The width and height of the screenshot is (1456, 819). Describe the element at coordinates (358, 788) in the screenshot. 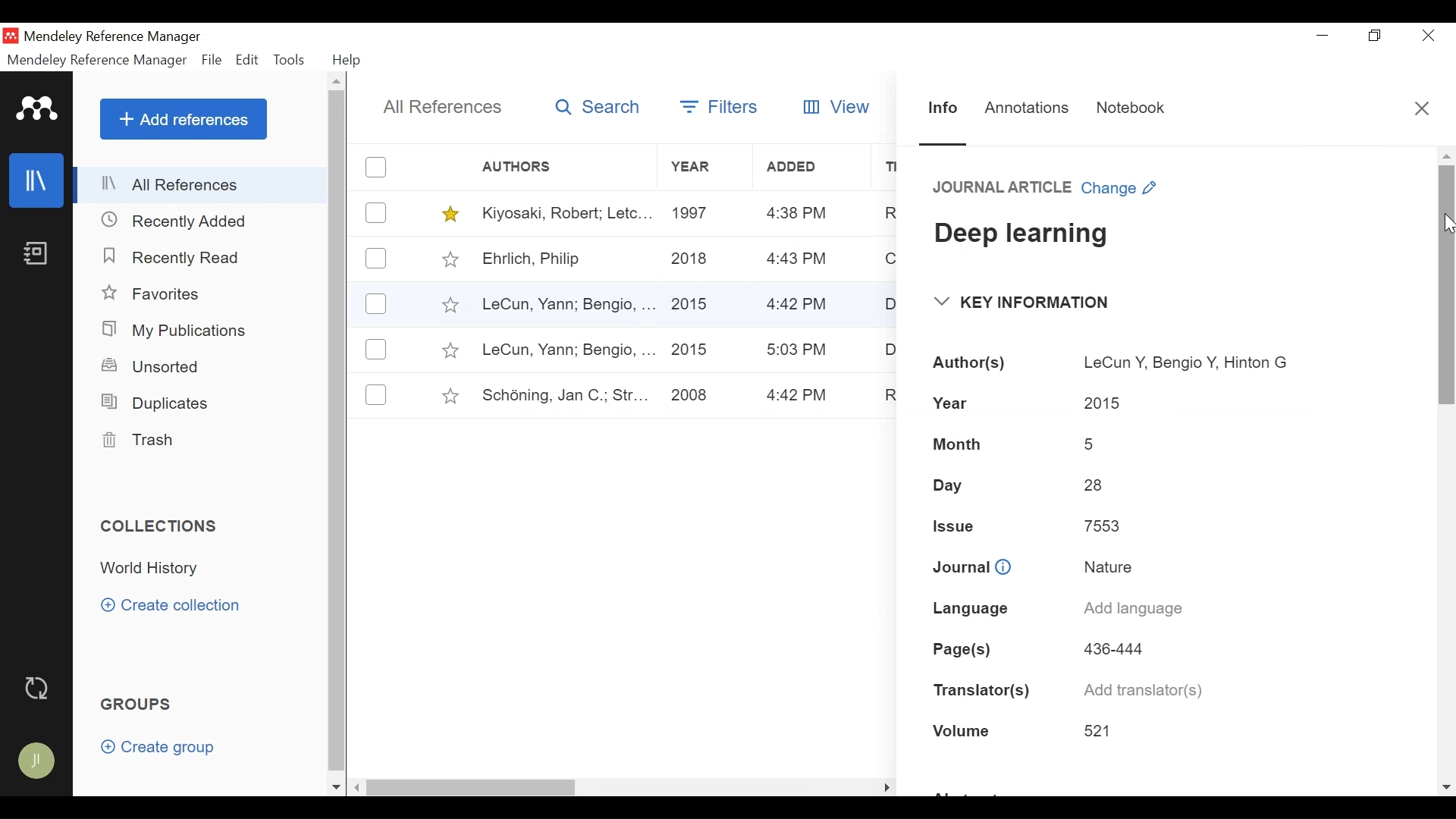

I see `Scroll Right` at that location.